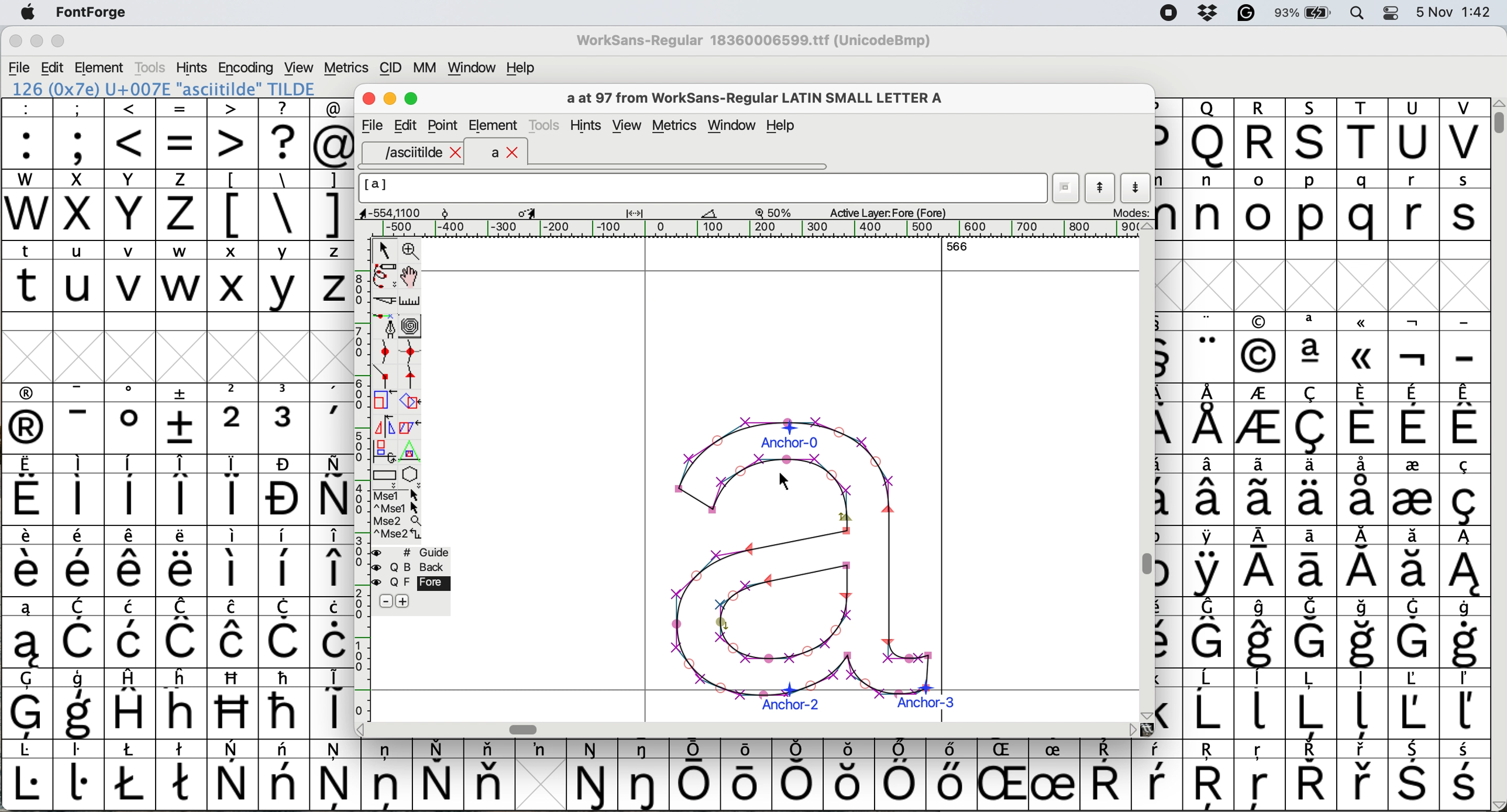  Describe the element at coordinates (384, 475) in the screenshot. I see `Rectangle or box` at that location.